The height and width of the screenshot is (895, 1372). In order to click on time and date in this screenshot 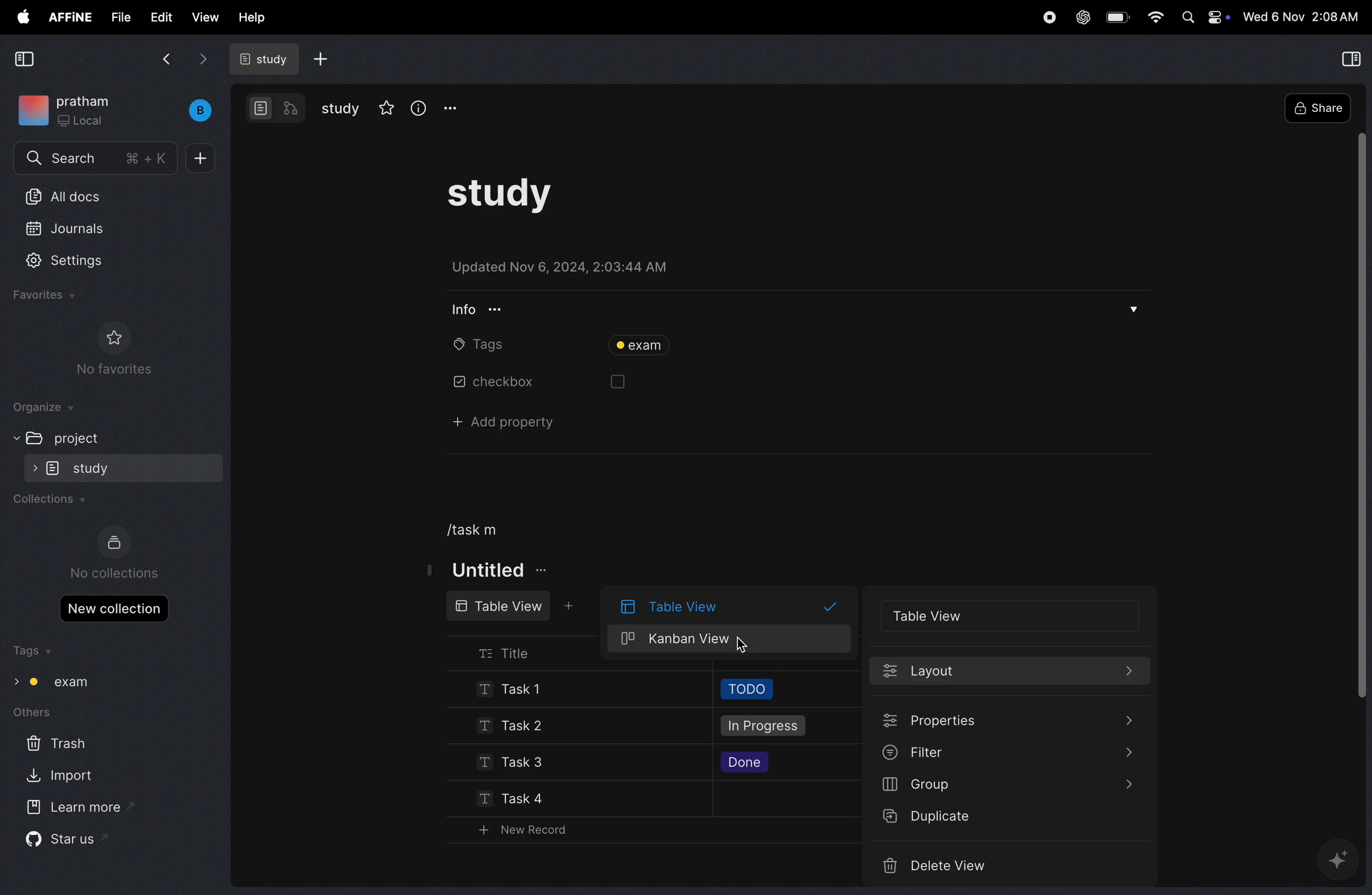, I will do `click(1304, 17)`.